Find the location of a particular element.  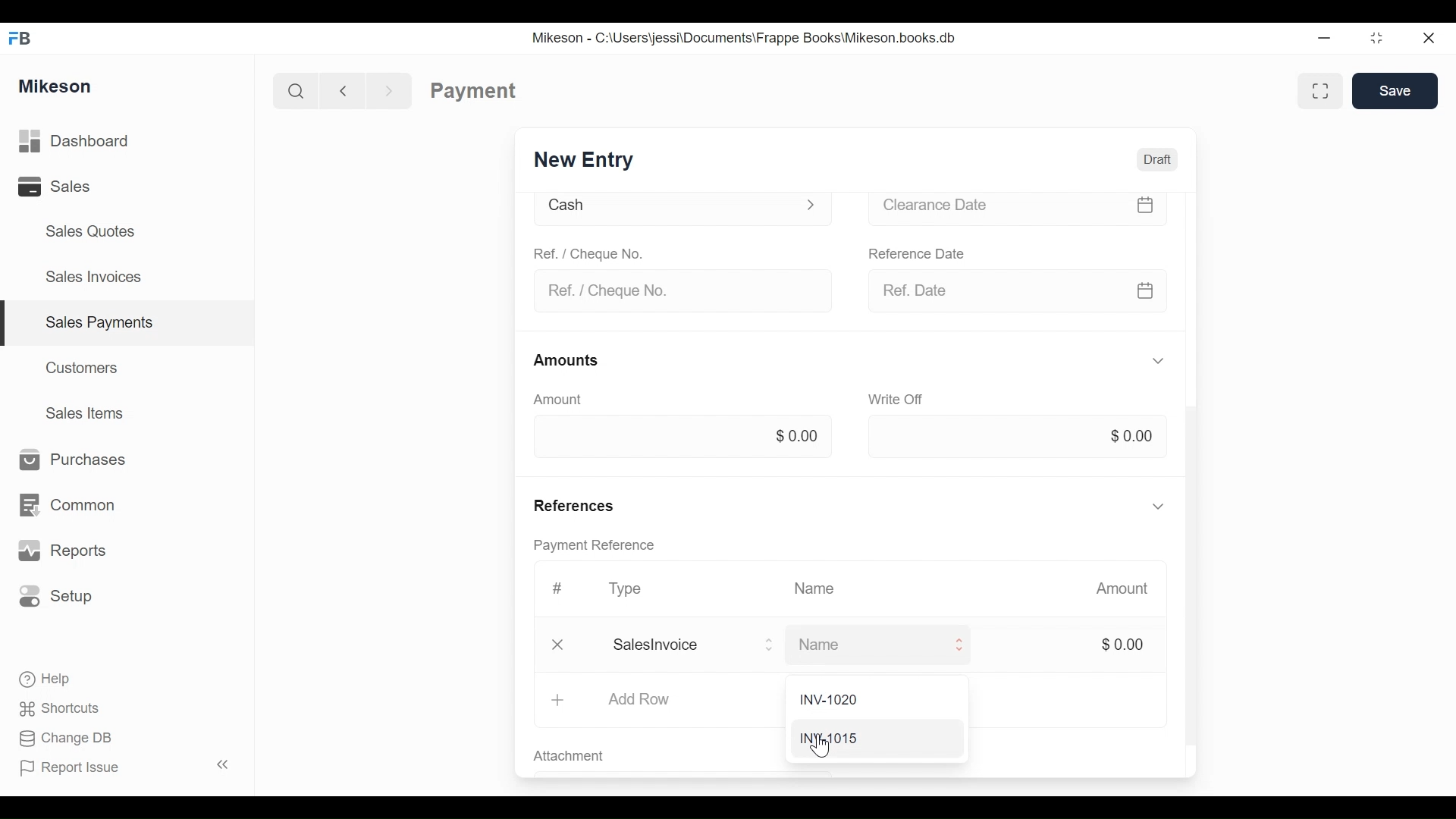

Close is located at coordinates (557, 645).